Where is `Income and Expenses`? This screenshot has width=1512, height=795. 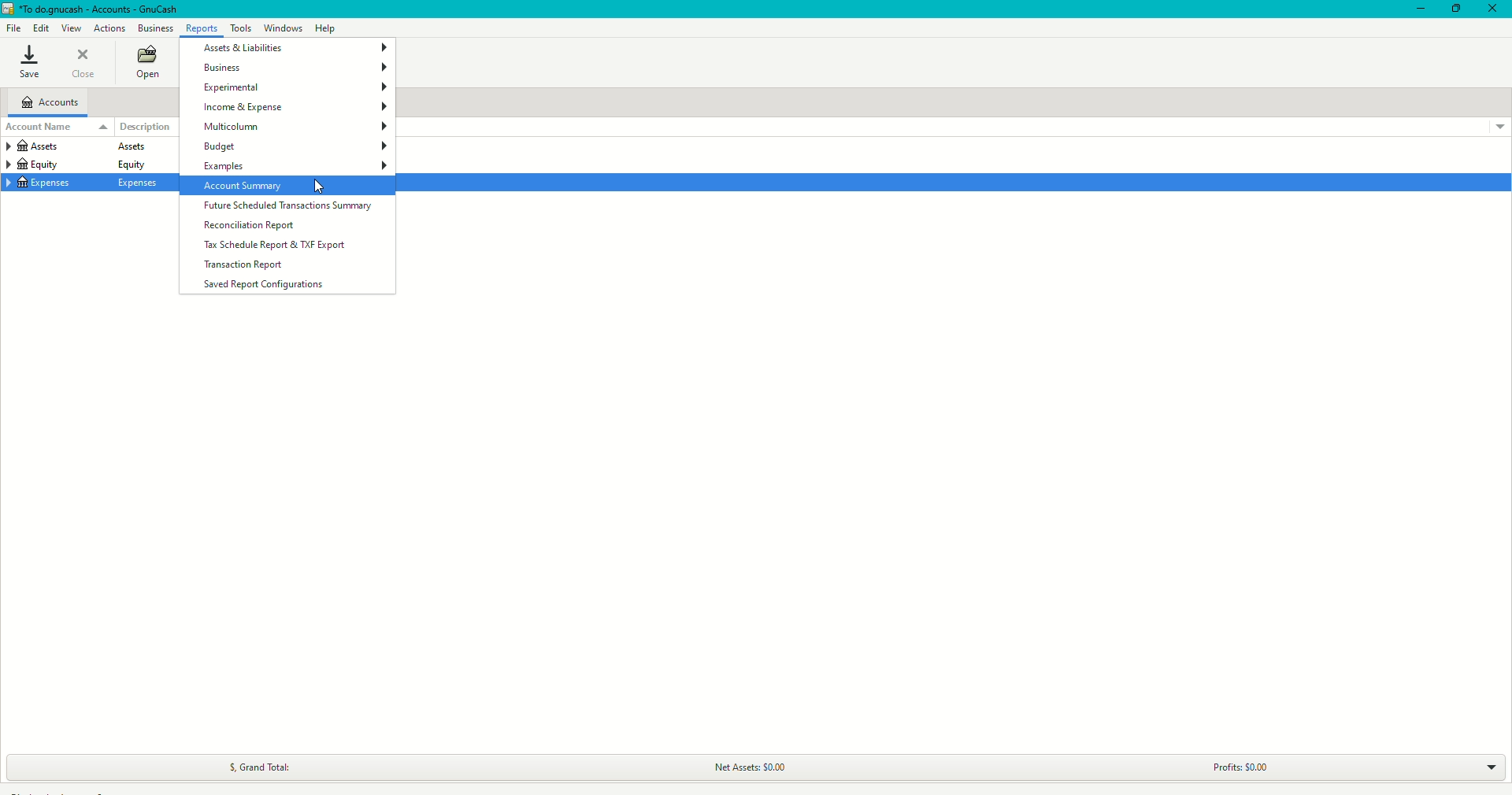
Income and Expenses is located at coordinates (295, 108).